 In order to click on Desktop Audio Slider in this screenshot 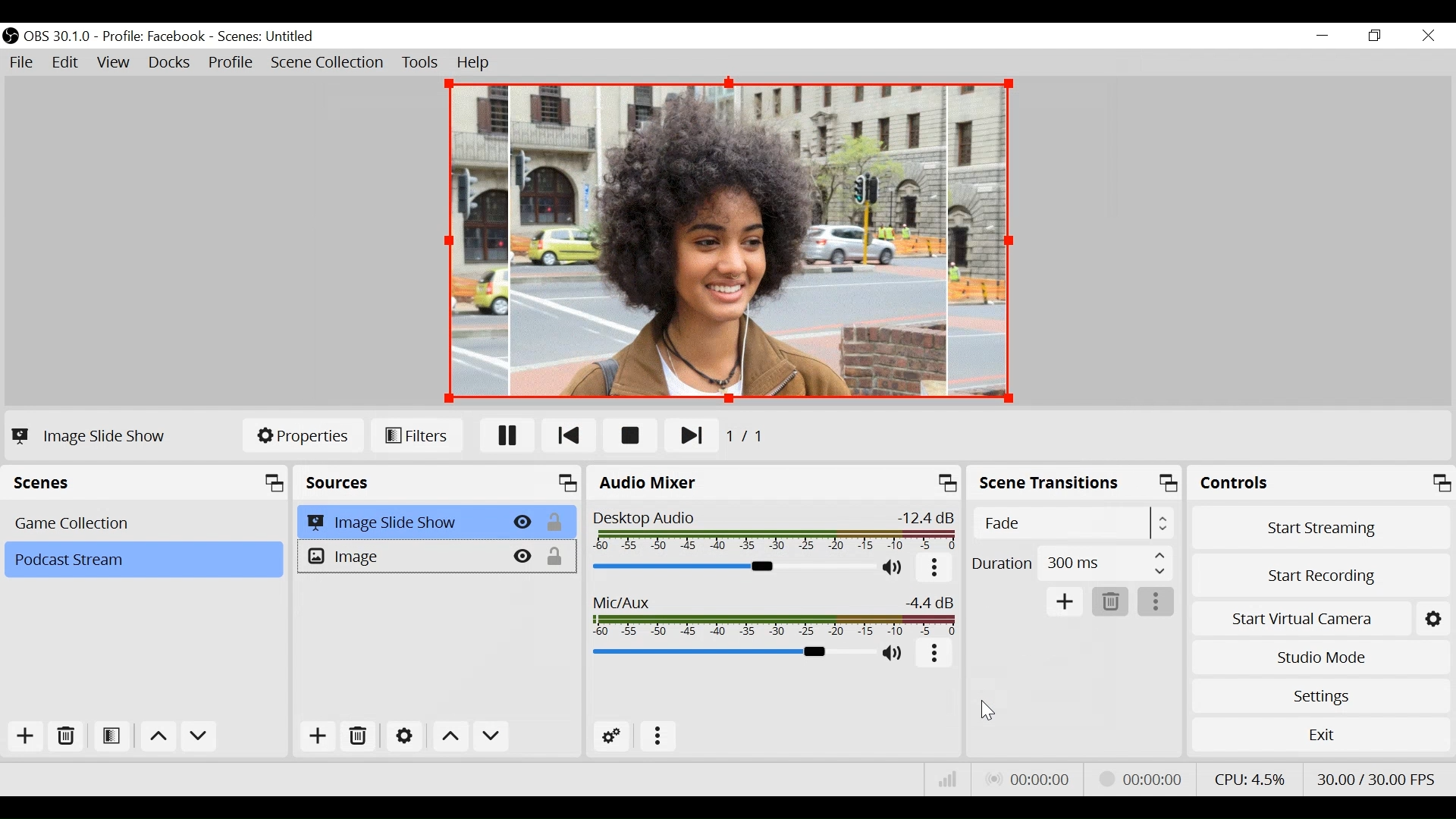, I will do `click(730, 566)`.